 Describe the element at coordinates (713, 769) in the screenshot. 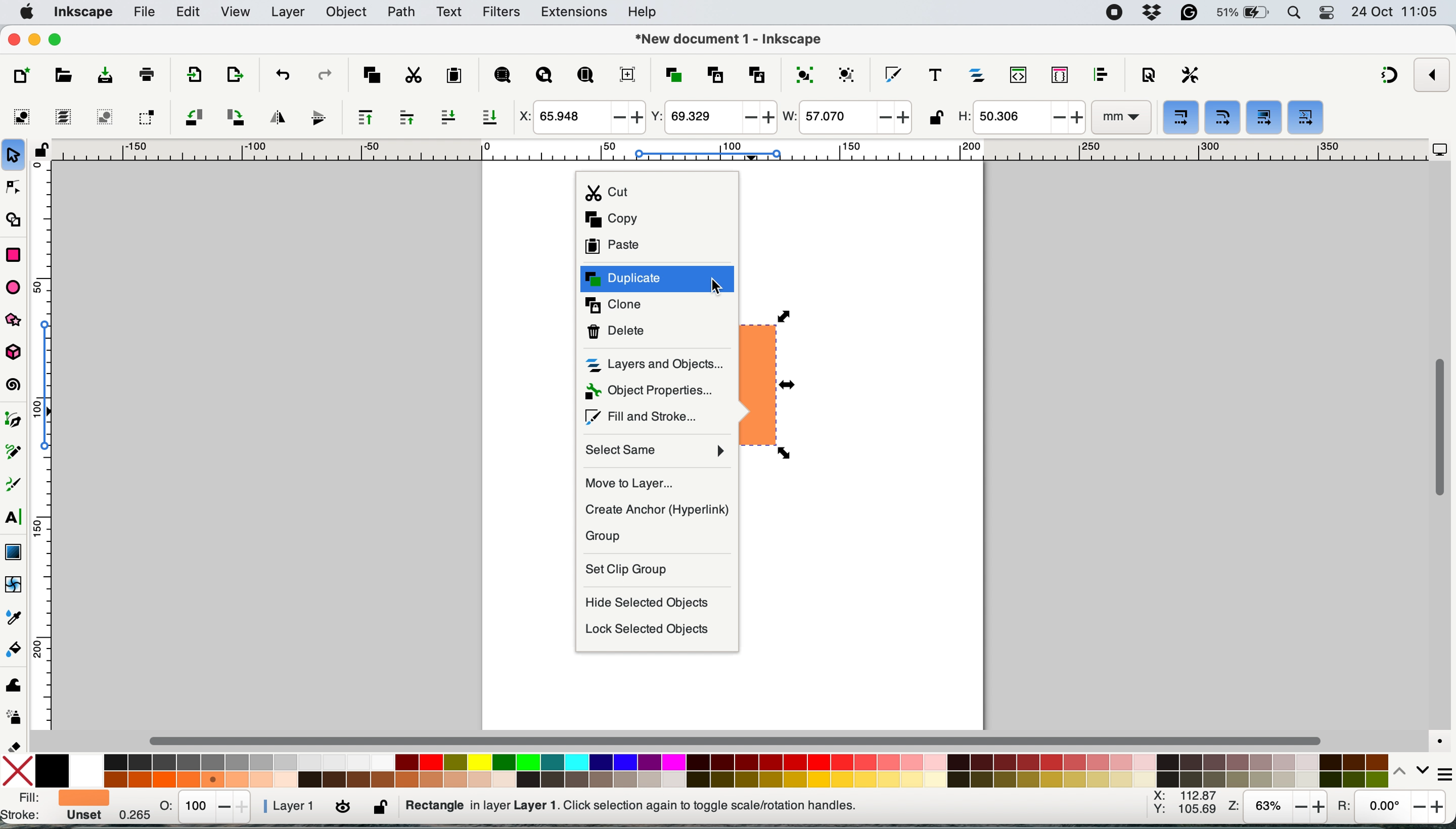

I see `color palatte` at that location.